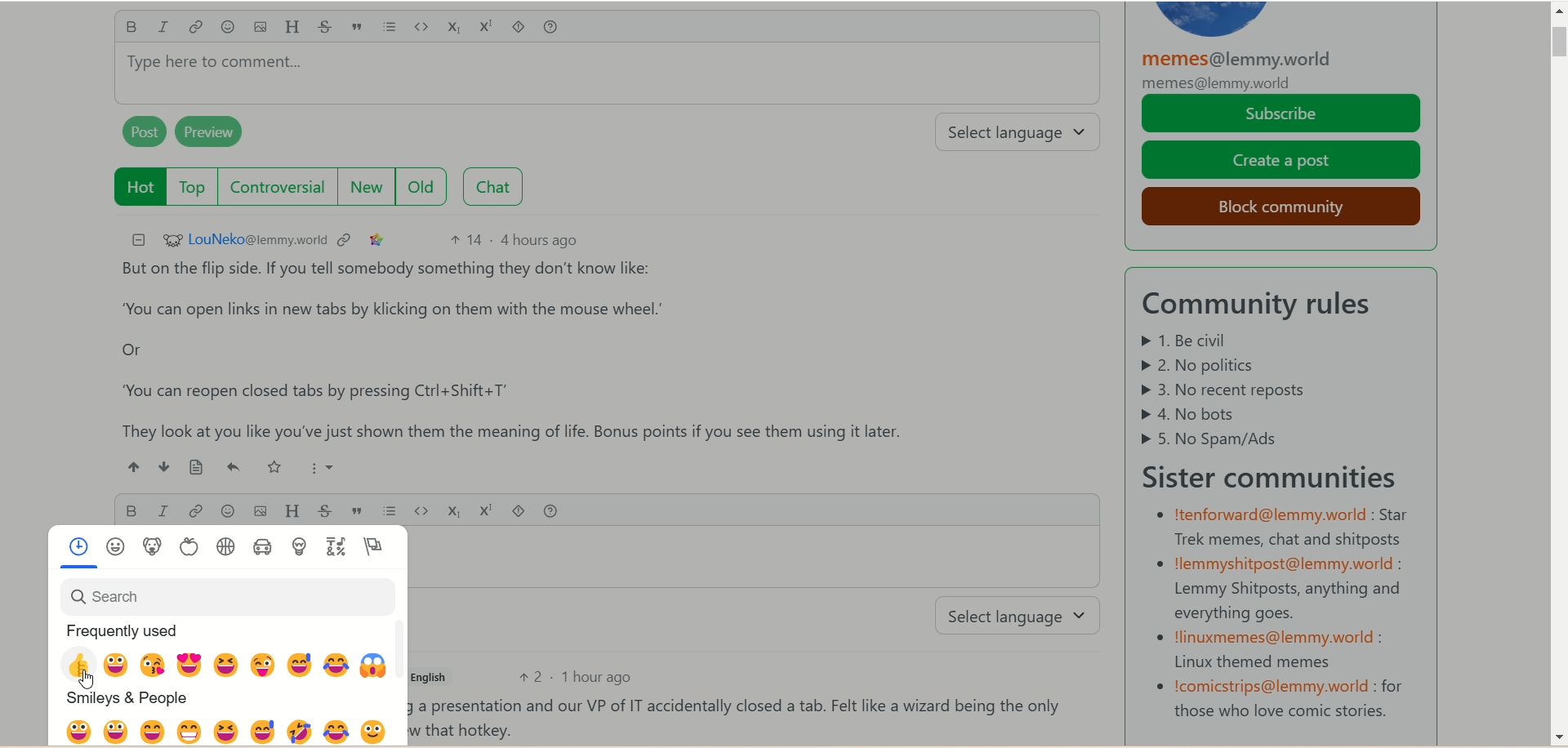 The height and width of the screenshot is (748, 1568). I want to click on memes@lemmy.world, so click(1243, 70).